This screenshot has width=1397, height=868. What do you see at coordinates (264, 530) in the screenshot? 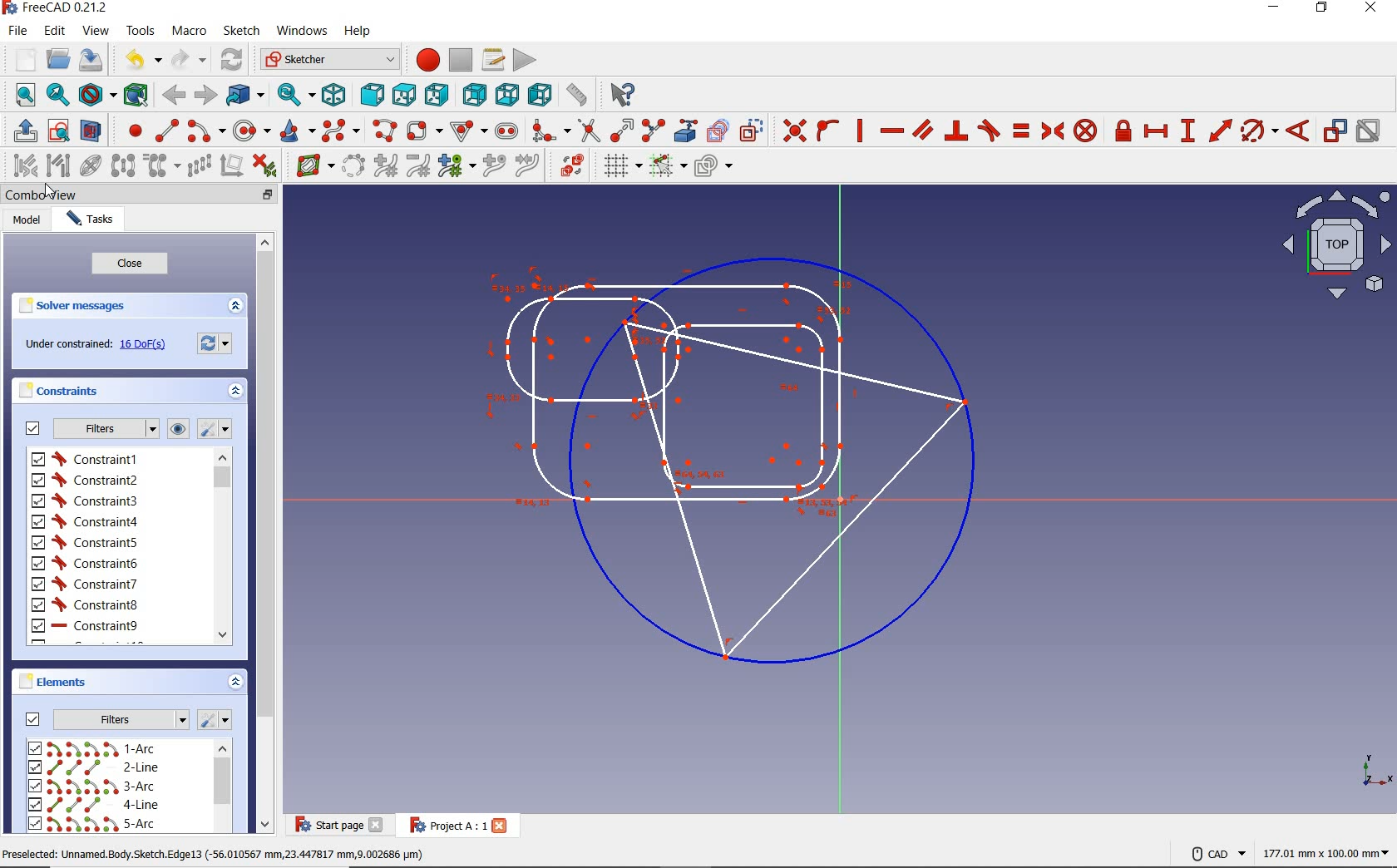
I see `scrollbar` at bounding box center [264, 530].